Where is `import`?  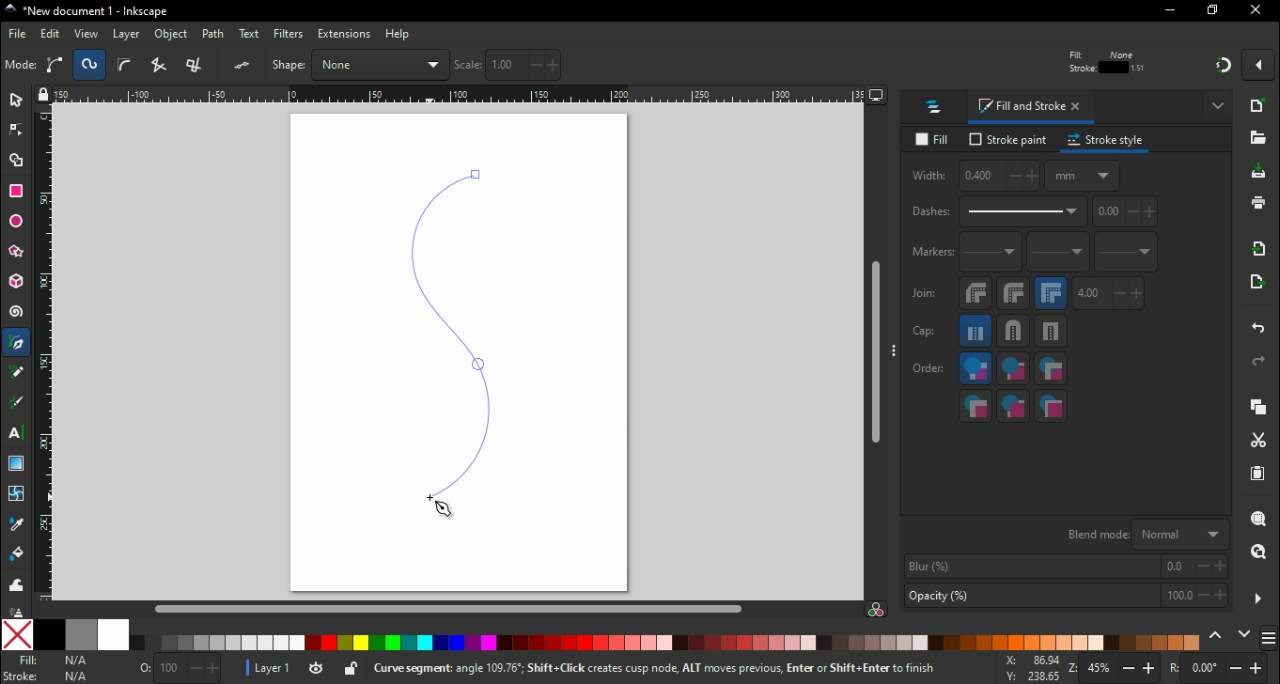 import is located at coordinates (1262, 253).